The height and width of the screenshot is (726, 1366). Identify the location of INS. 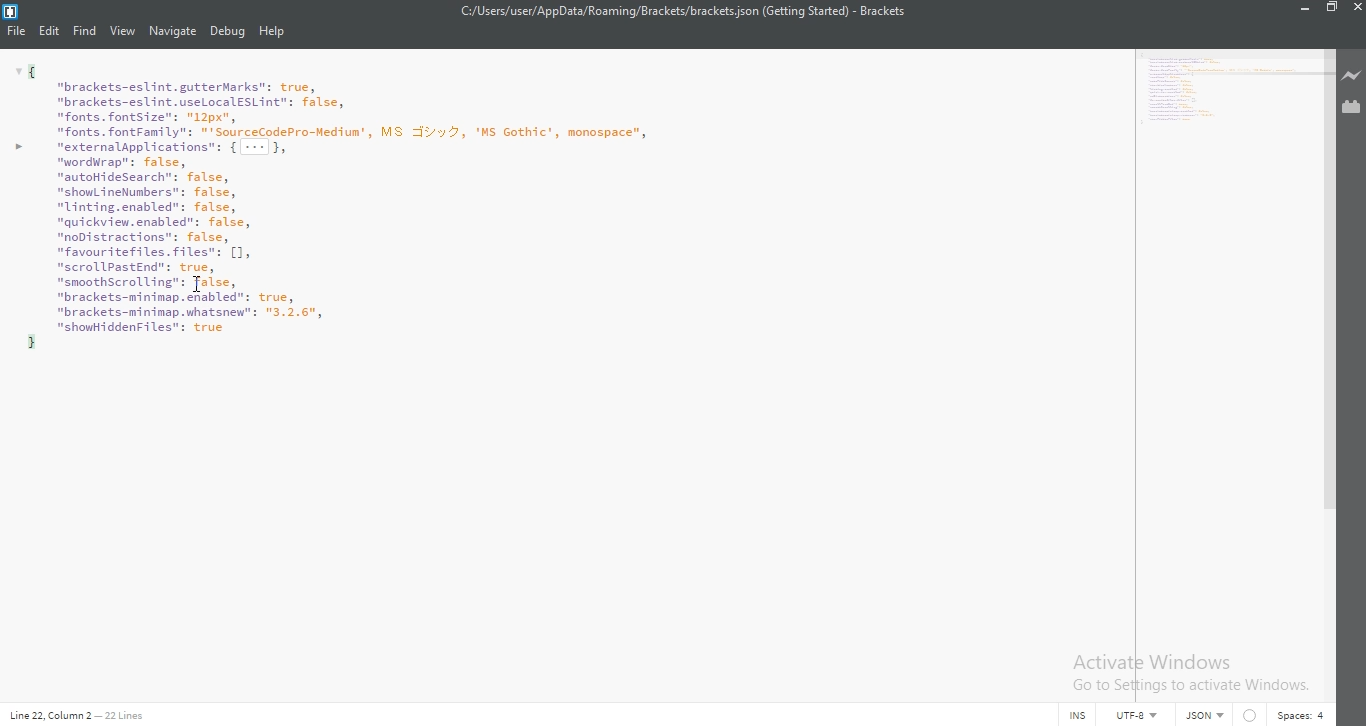
(1080, 716).